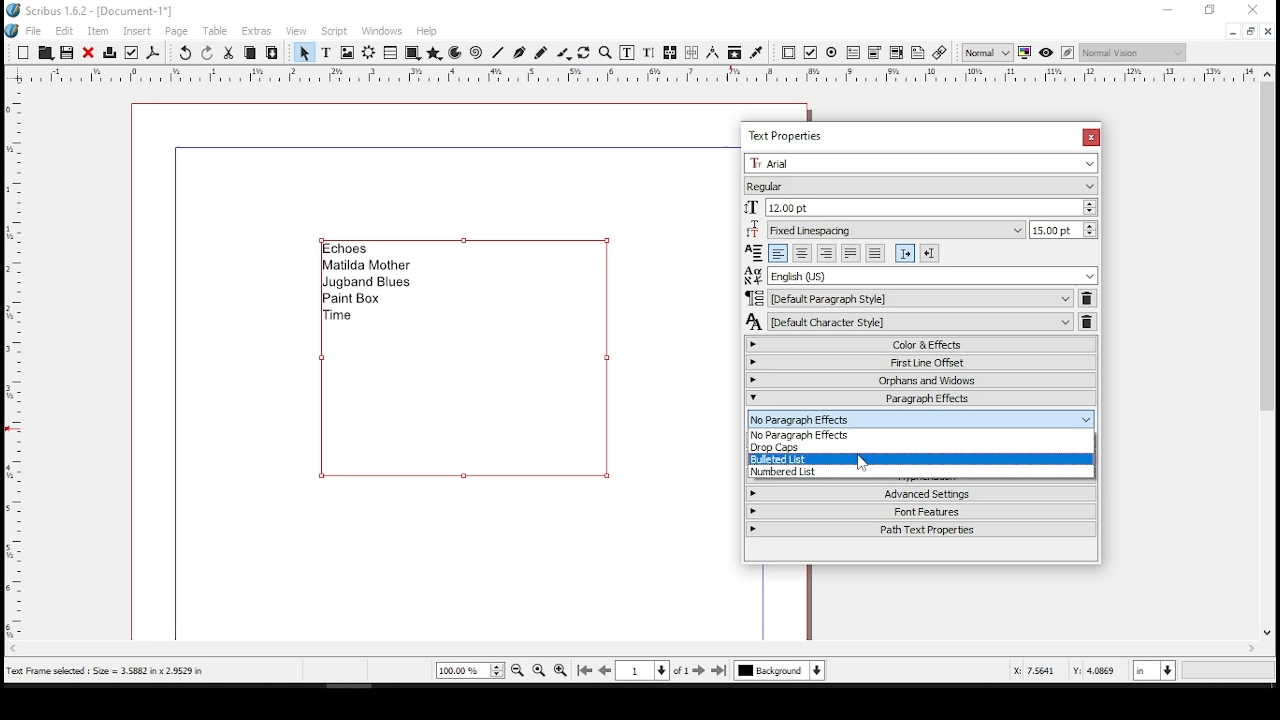  What do you see at coordinates (920, 459) in the screenshot?
I see `bulleted list` at bounding box center [920, 459].